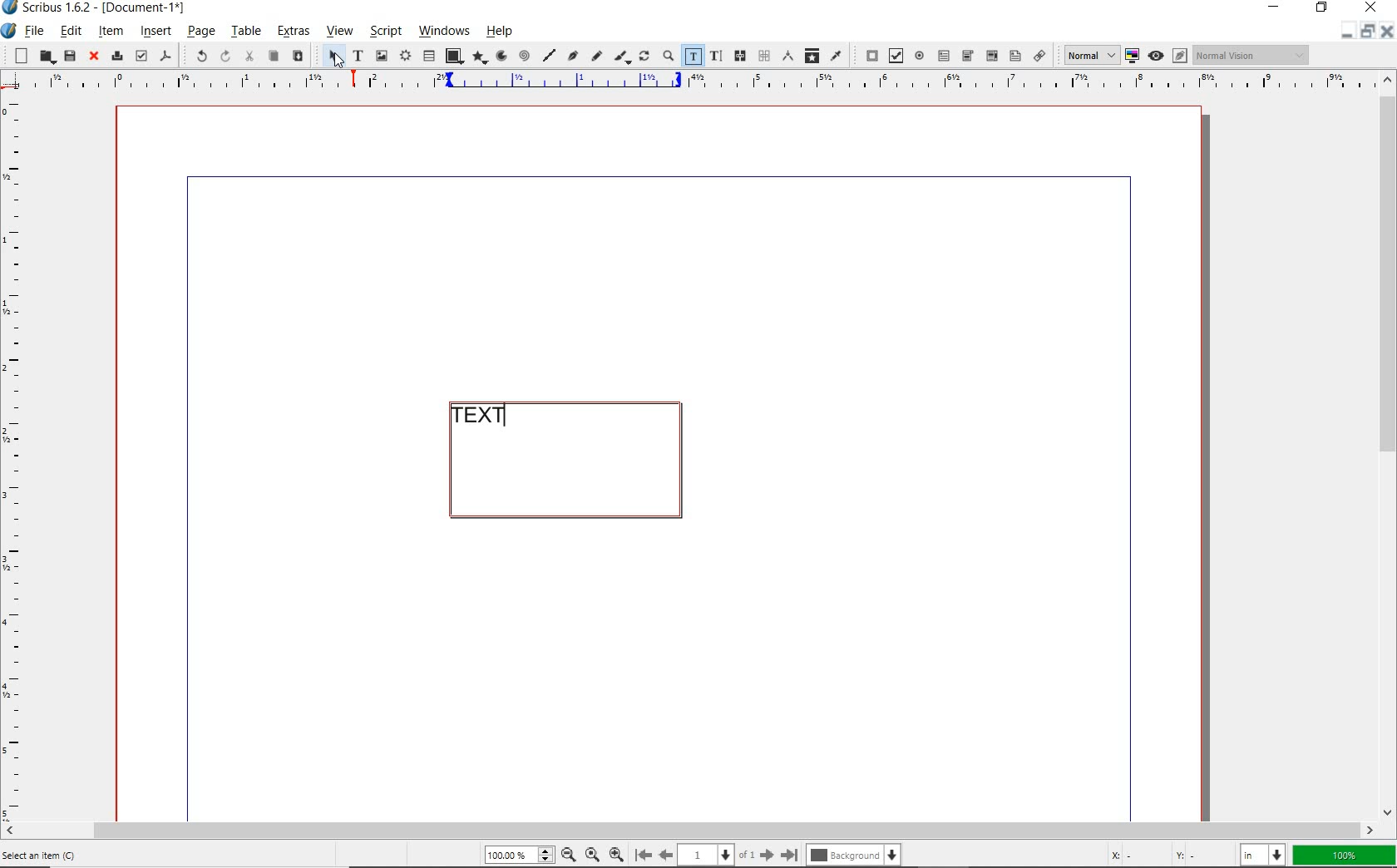  Describe the element at coordinates (165, 56) in the screenshot. I see `save as pdf` at that location.